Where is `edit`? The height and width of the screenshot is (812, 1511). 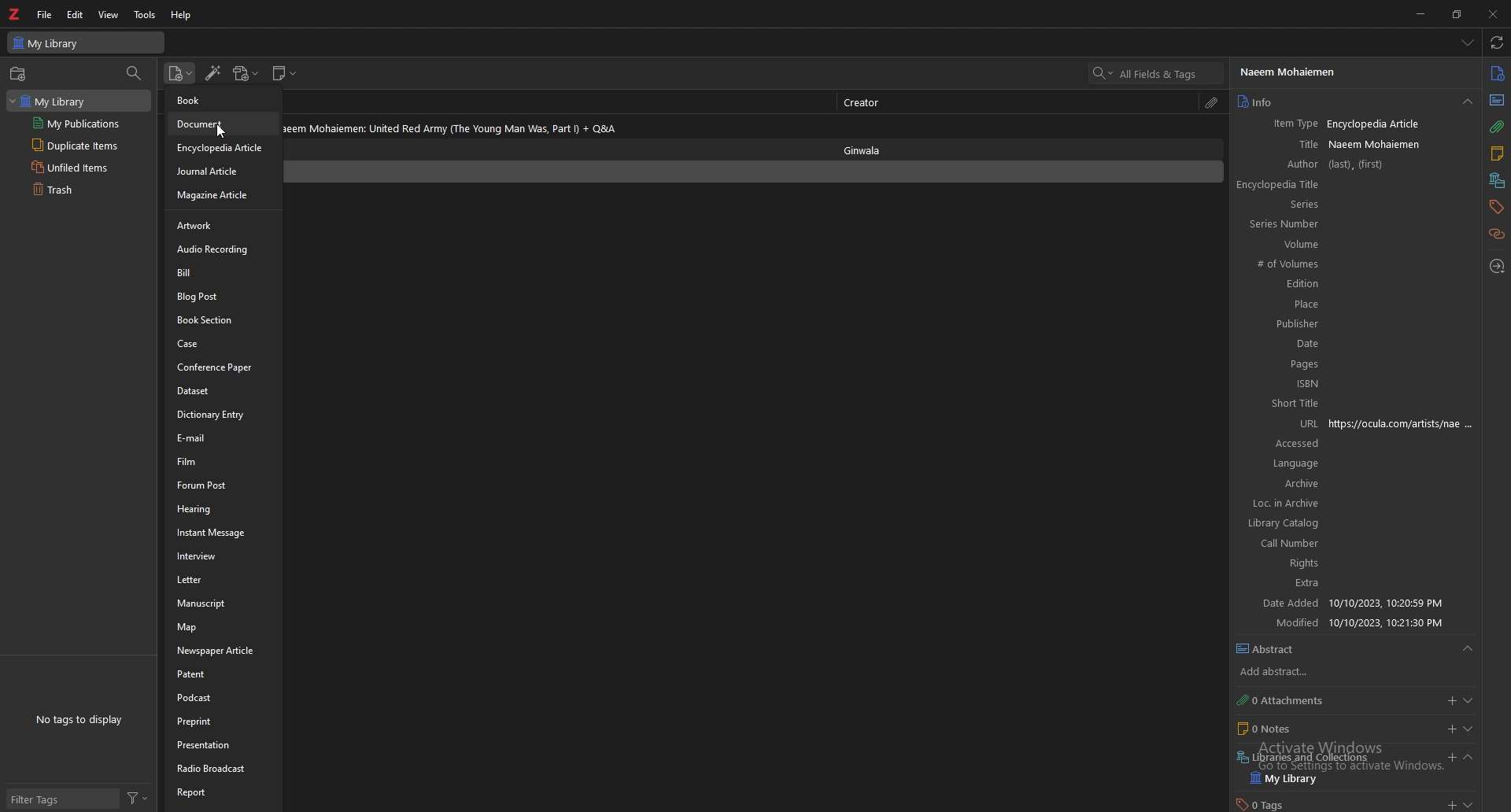
edit is located at coordinates (76, 14).